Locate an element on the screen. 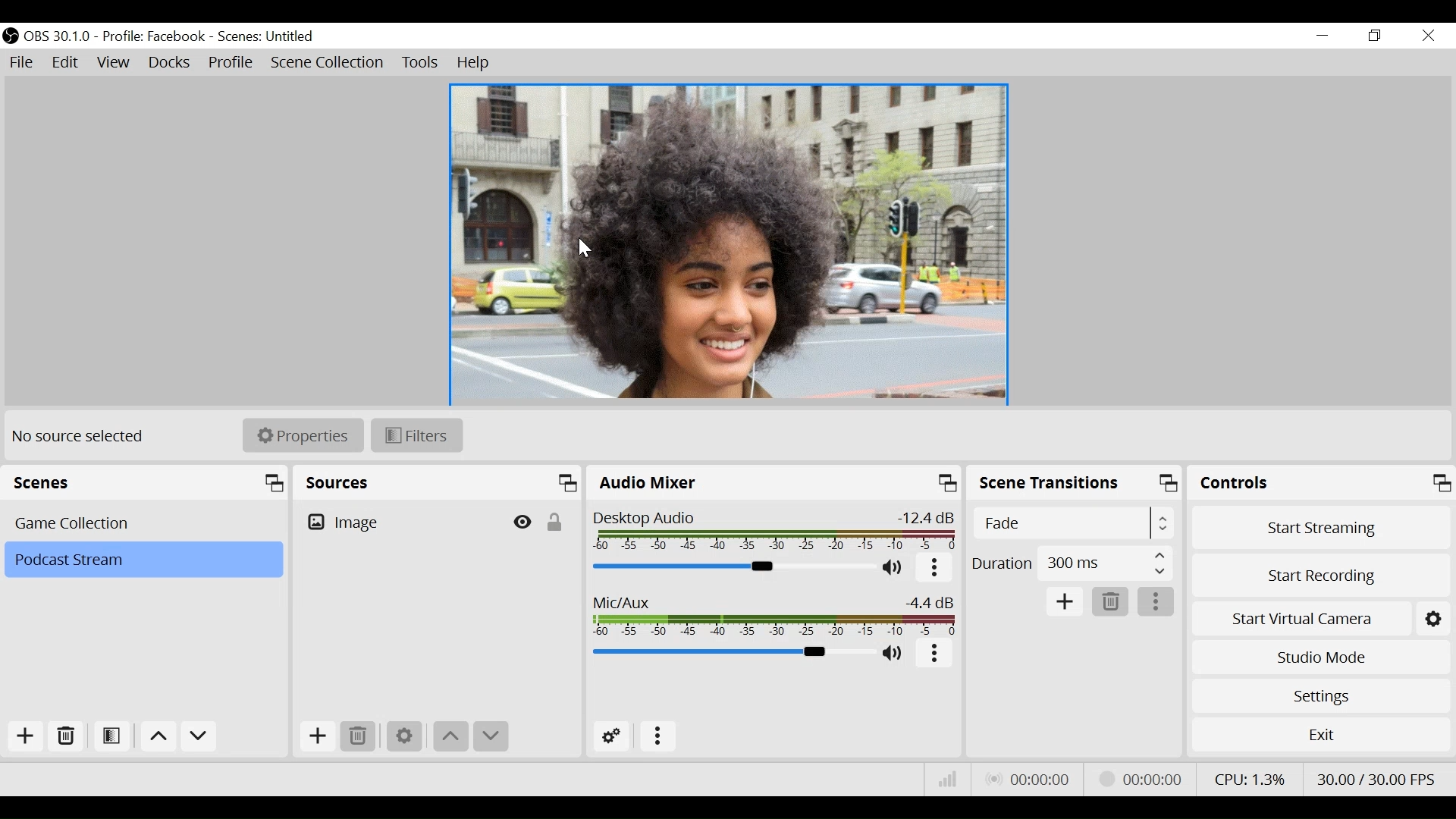 The image size is (1456, 819). Sources Panel is located at coordinates (438, 482).